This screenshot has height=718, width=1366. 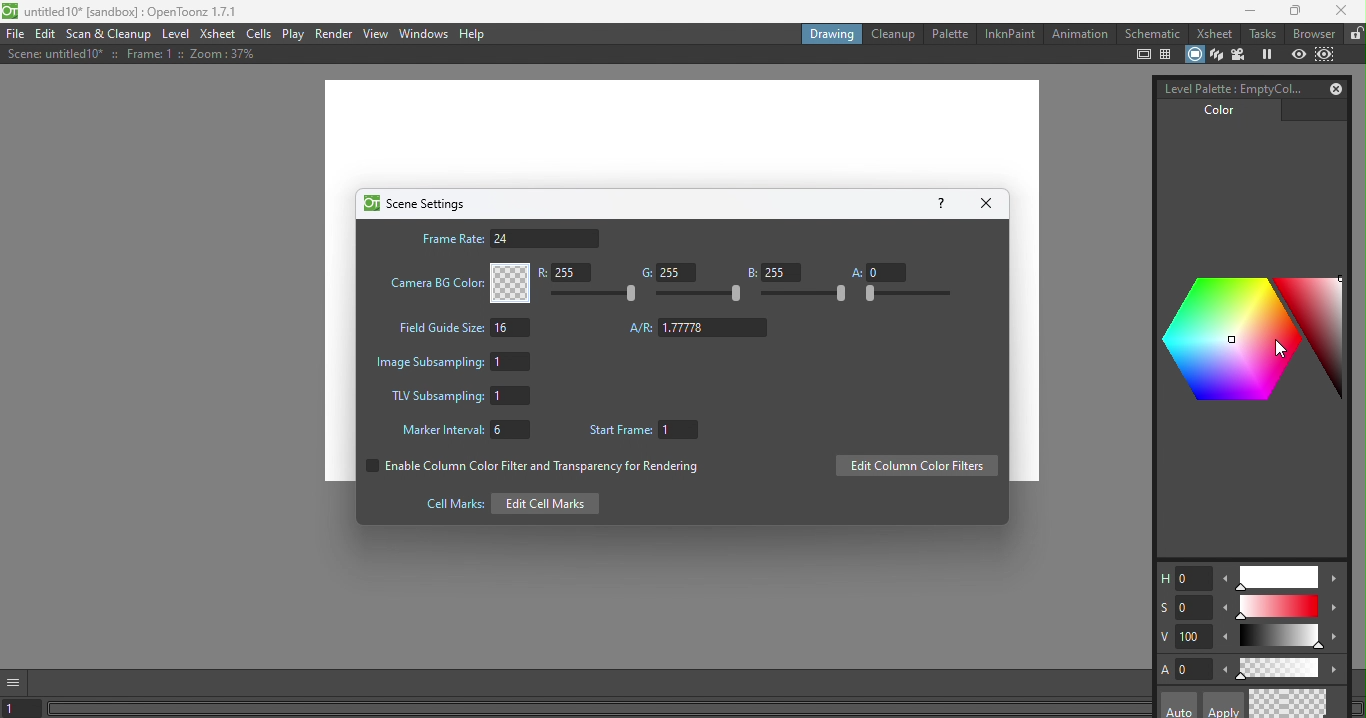 I want to click on Enable column color filter and transparency for rendering, so click(x=529, y=469).